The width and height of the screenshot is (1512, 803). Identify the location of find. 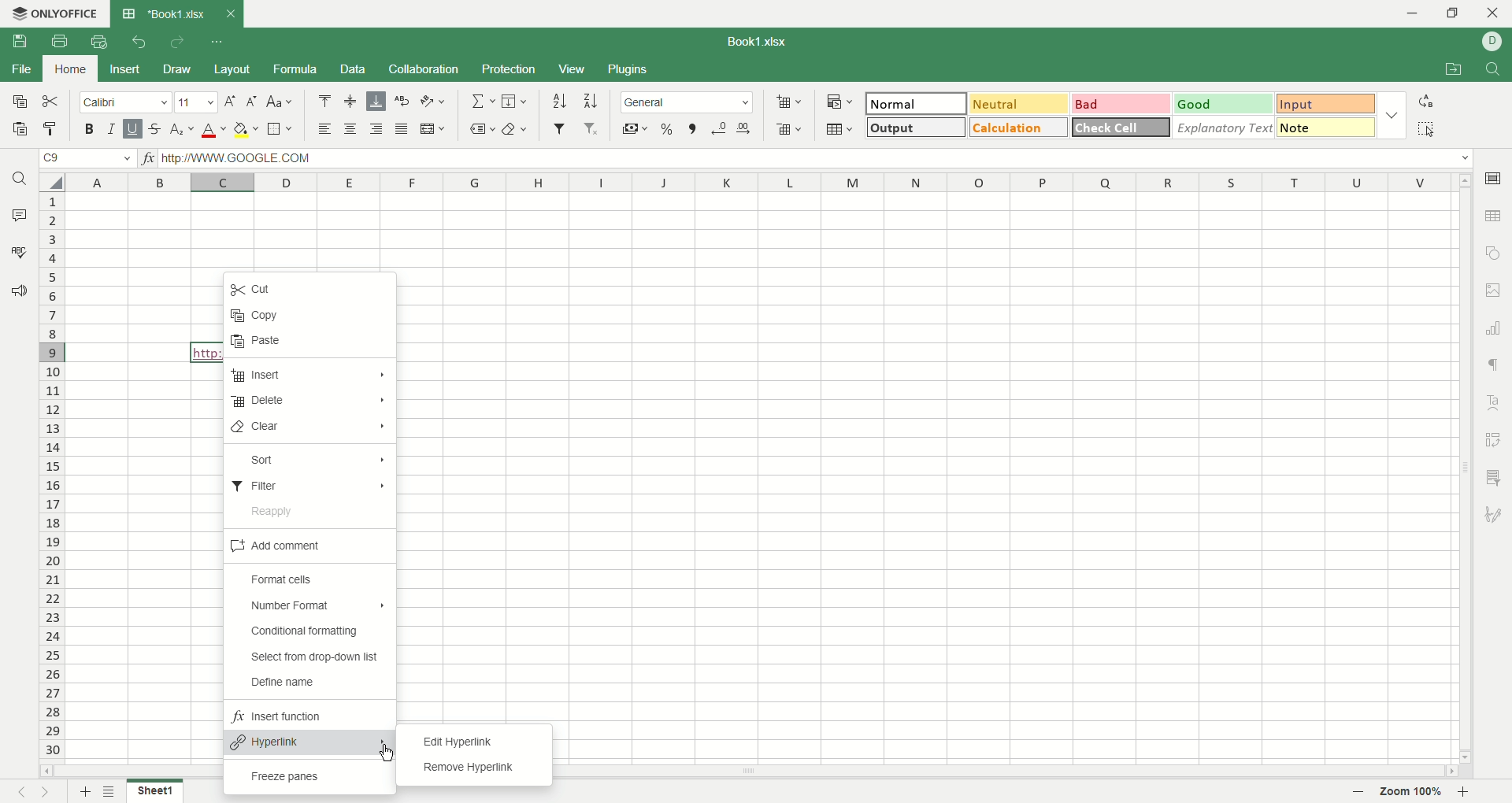
(1495, 68).